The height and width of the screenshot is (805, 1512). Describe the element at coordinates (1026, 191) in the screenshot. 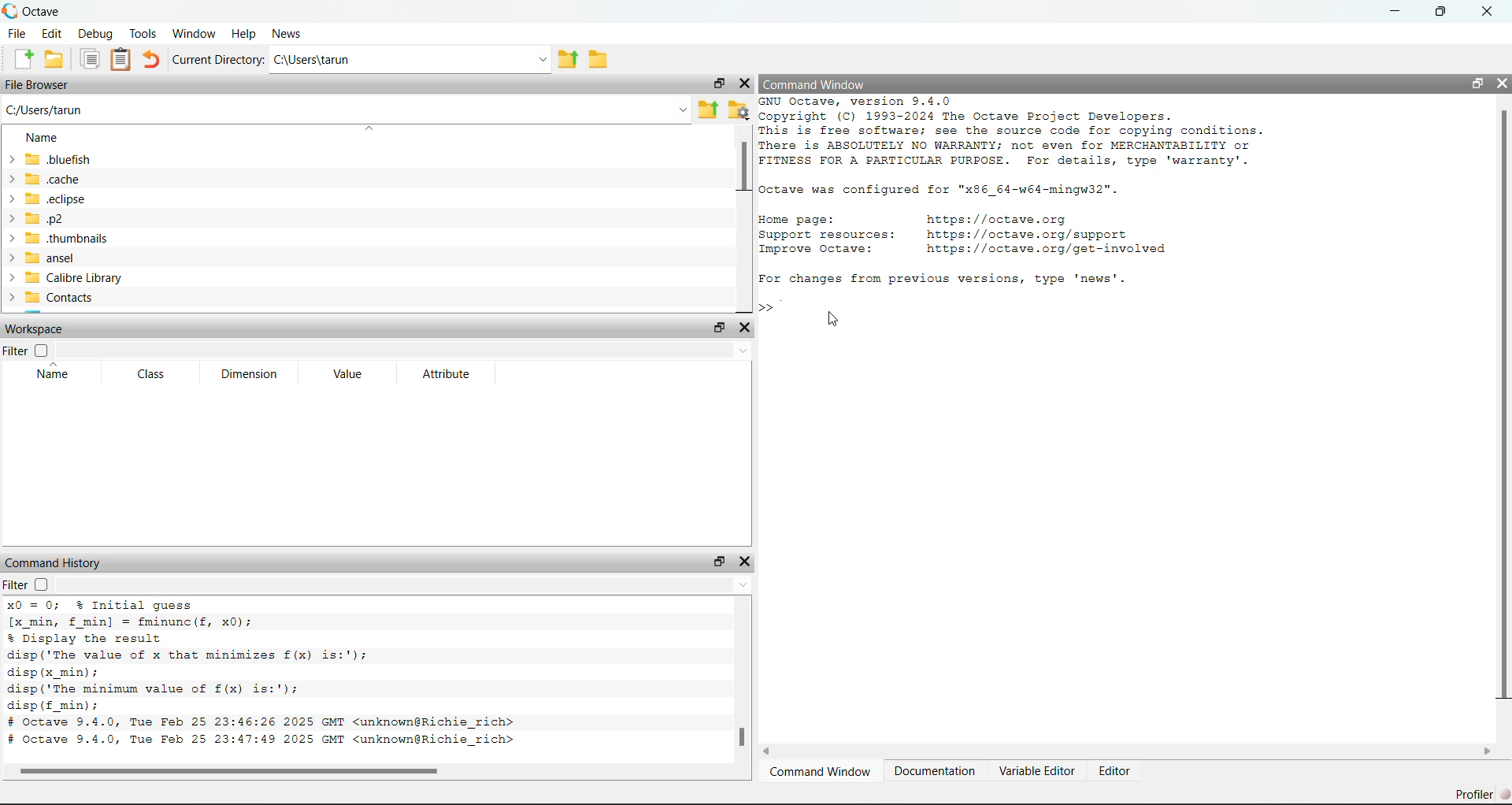

I see `GNU Octave, version 9.4.0

Copyright (C) 1993-2024 The Octave Project Developers.

This is free software; see the source code for copying conditions.
There is ABSOLUTELY NO WARRANTY; not even for MERCHANTABILITY or
FITNESS FOR A PARTICULAR PURPOSE. For details, type 'warranty'.
Octave was configured for "x86_64-w64-mingw32".

Home page: https: //octave.org

Support resources: https: //octave.org/support

Improve Octave: https: //octave.org/get-involved

For changes from previous versions, type 'news'.

>> | N` at that location.